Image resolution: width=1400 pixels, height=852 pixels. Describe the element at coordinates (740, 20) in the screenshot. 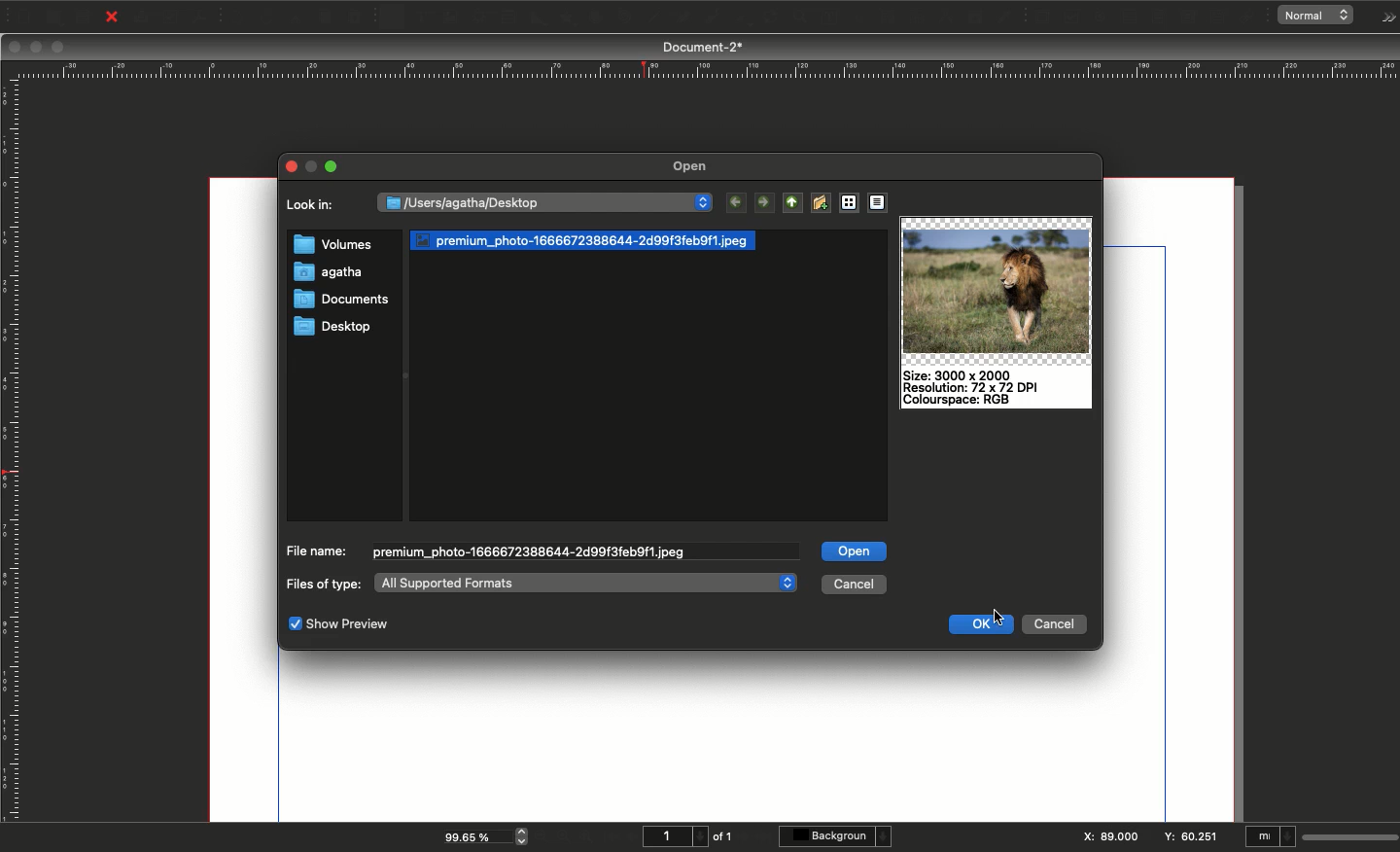

I see `Rotate item` at that location.